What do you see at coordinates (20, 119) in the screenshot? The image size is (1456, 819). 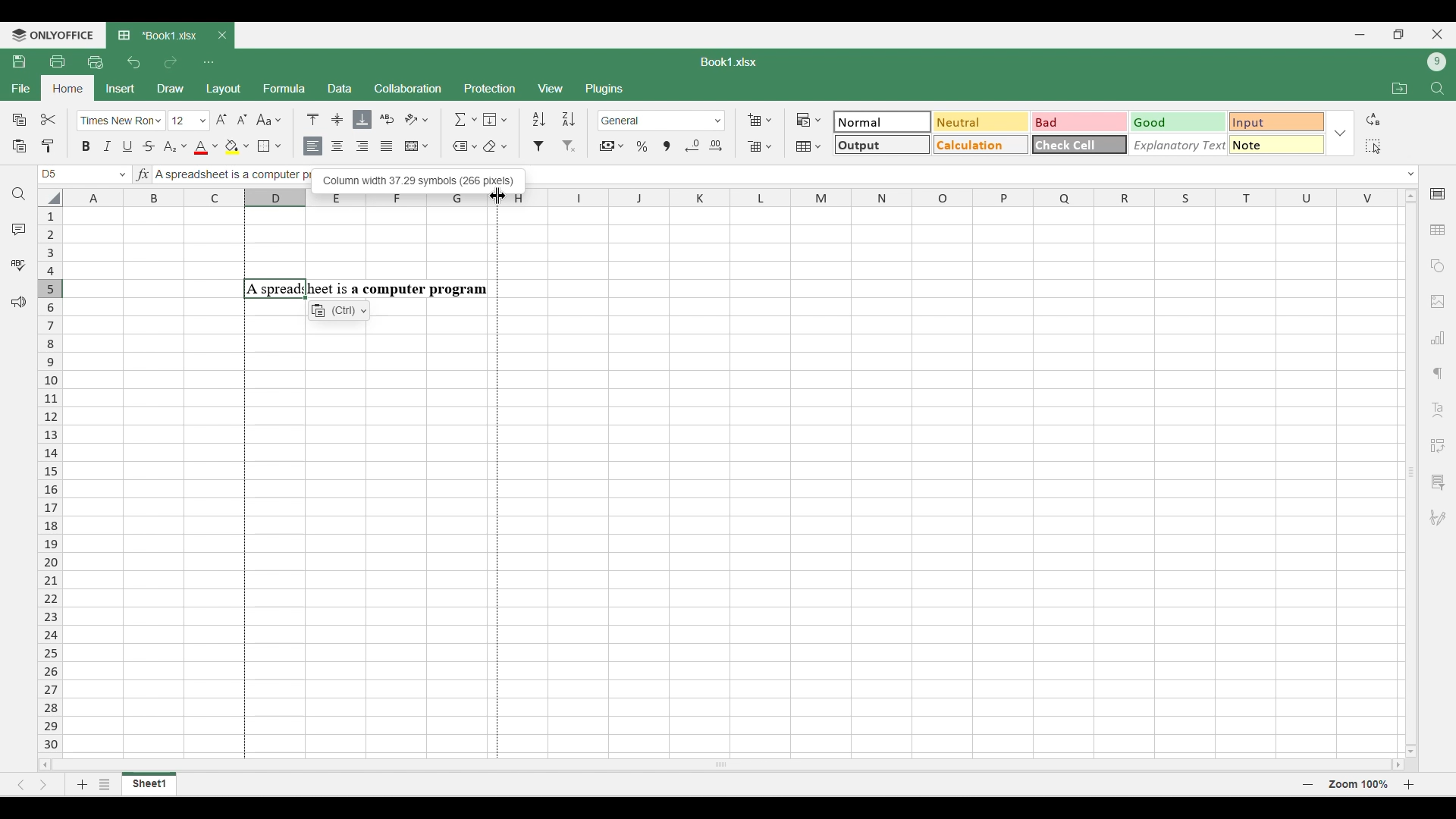 I see `Copy` at bounding box center [20, 119].